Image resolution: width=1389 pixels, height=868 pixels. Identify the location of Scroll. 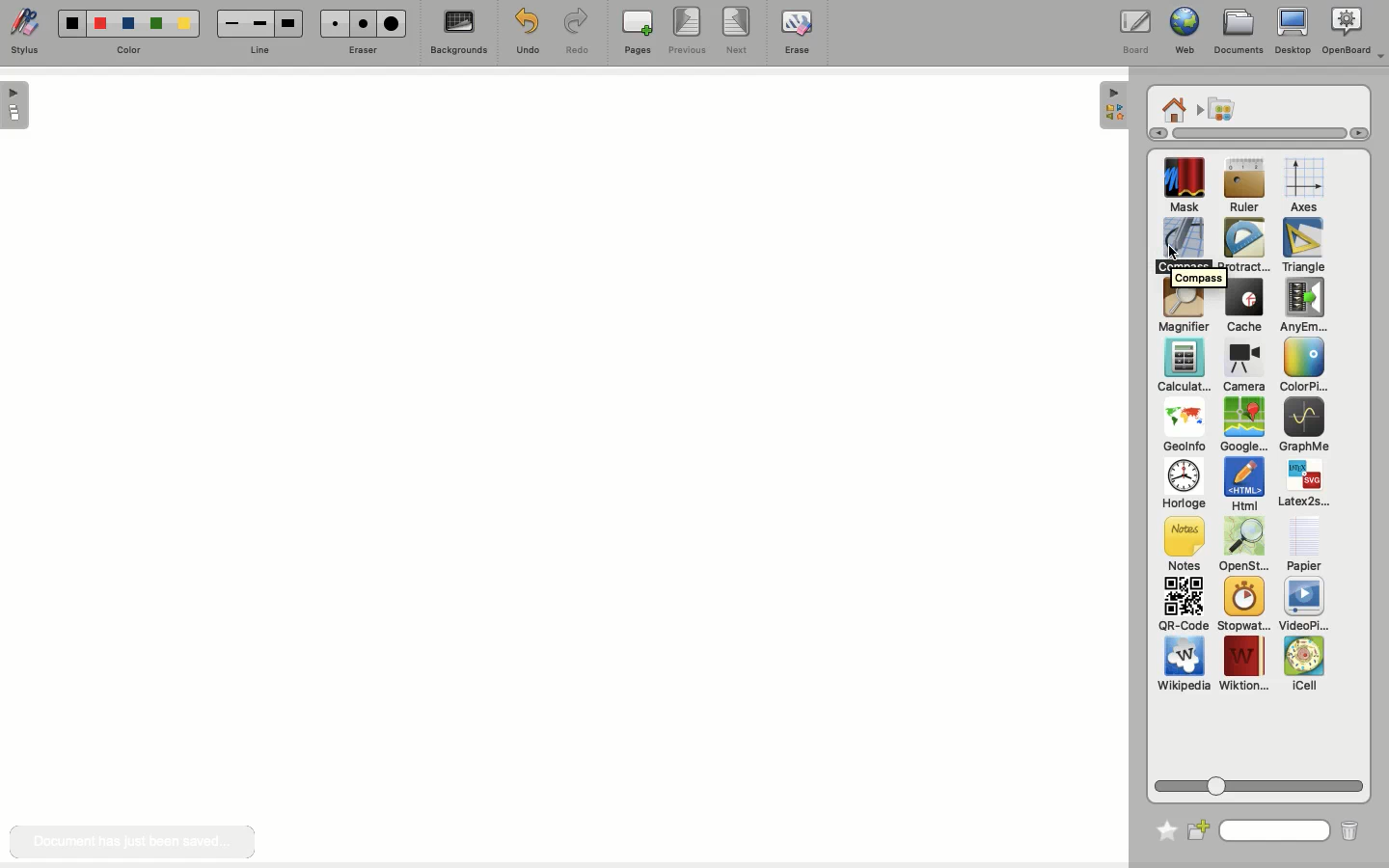
(1262, 782).